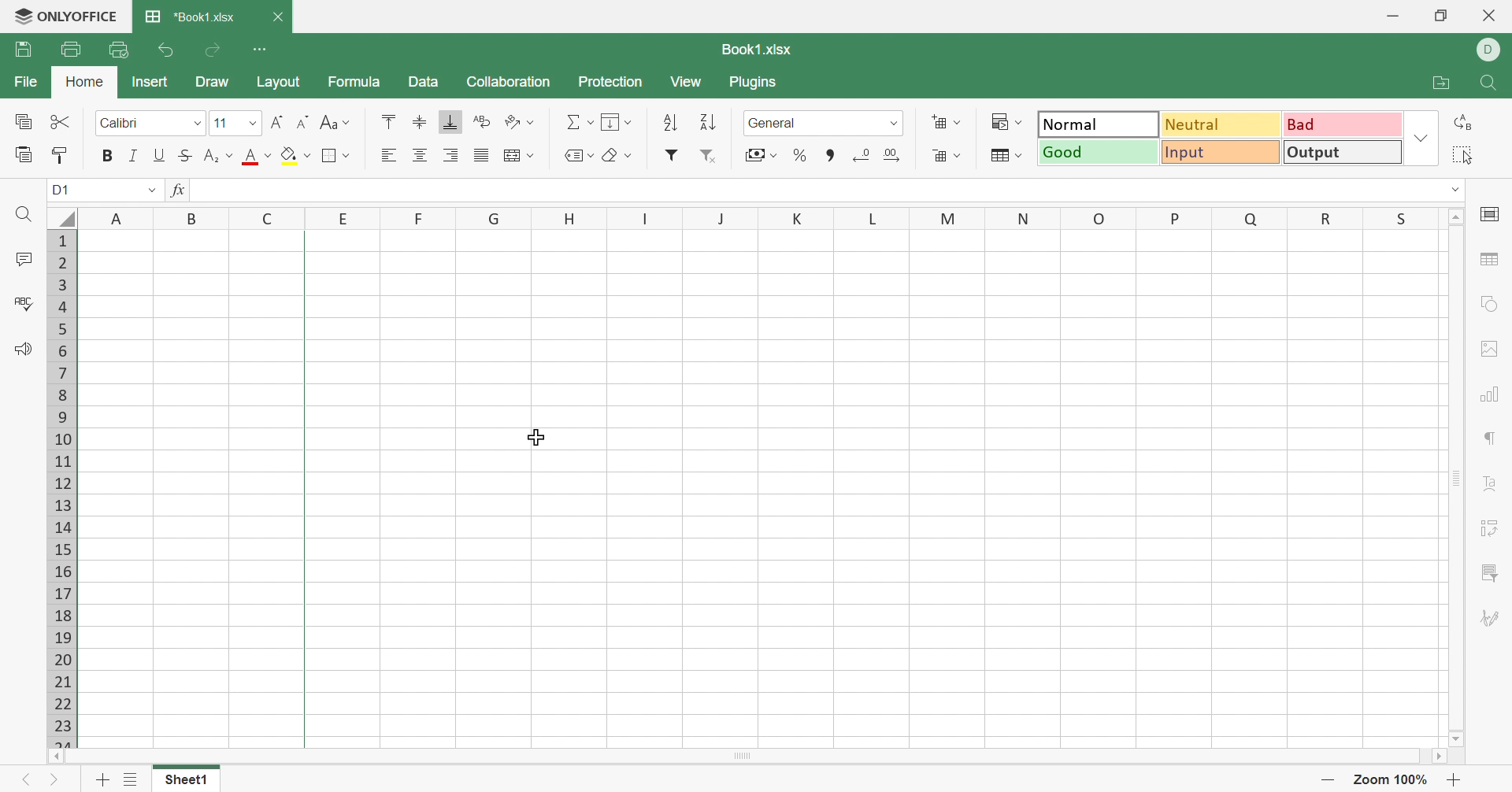 The height and width of the screenshot is (792, 1512). What do you see at coordinates (303, 120) in the screenshot?
I see `Decrement font size` at bounding box center [303, 120].